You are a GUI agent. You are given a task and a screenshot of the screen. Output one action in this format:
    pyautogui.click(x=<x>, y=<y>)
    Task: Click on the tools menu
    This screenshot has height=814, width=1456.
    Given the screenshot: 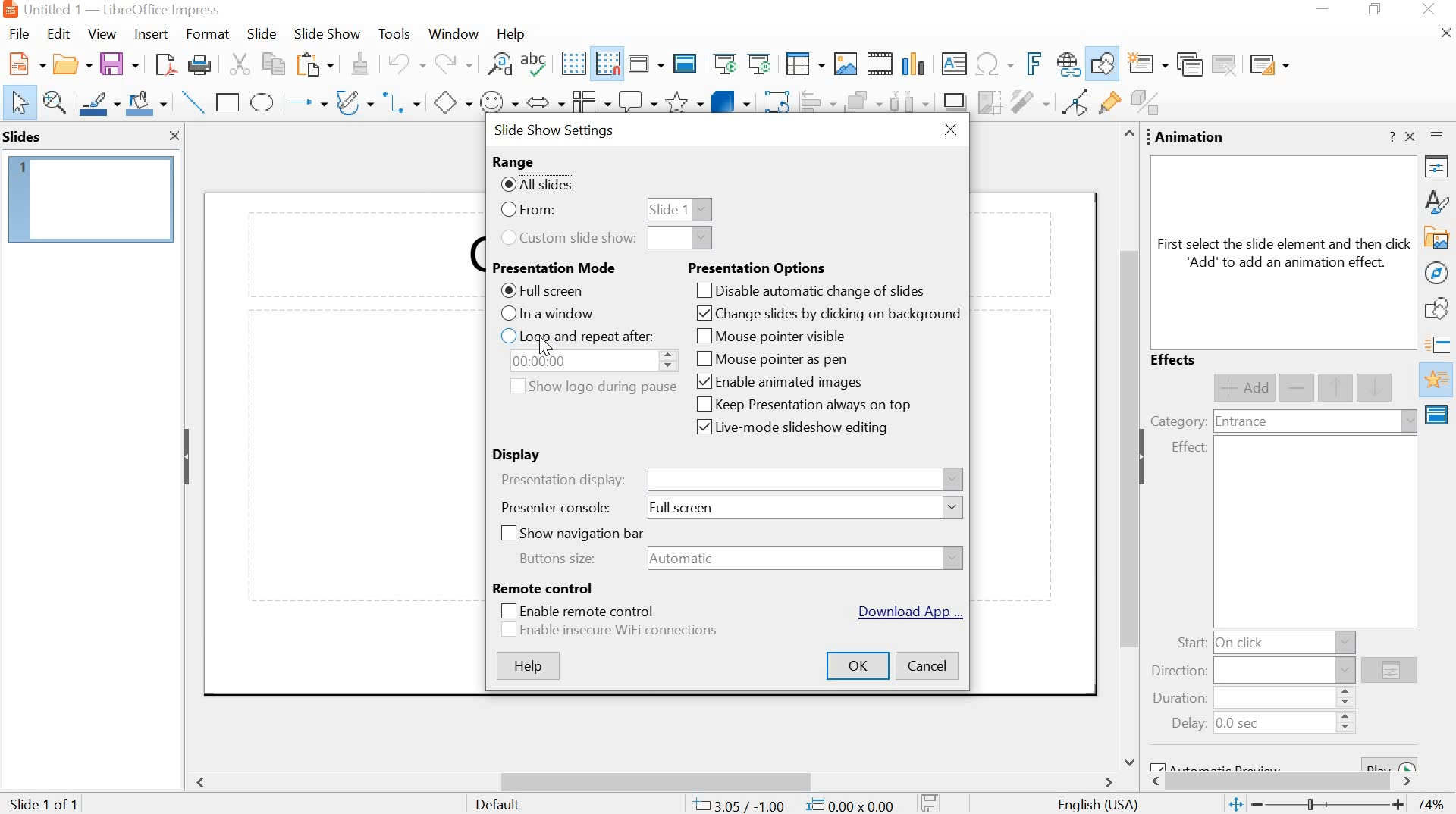 What is the action you would take?
    pyautogui.click(x=394, y=35)
    